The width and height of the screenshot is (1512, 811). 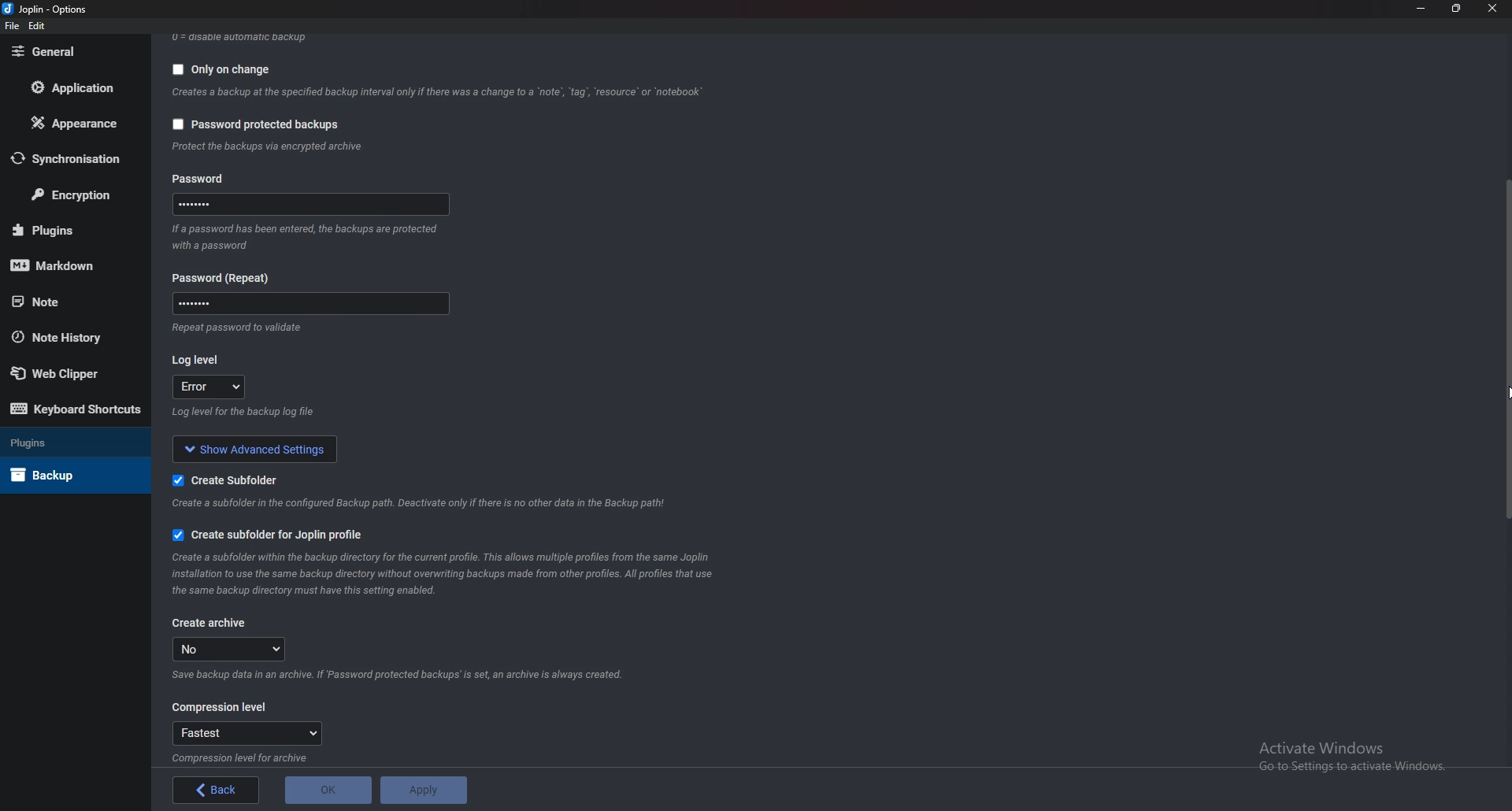 I want to click on create archive, so click(x=210, y=625).